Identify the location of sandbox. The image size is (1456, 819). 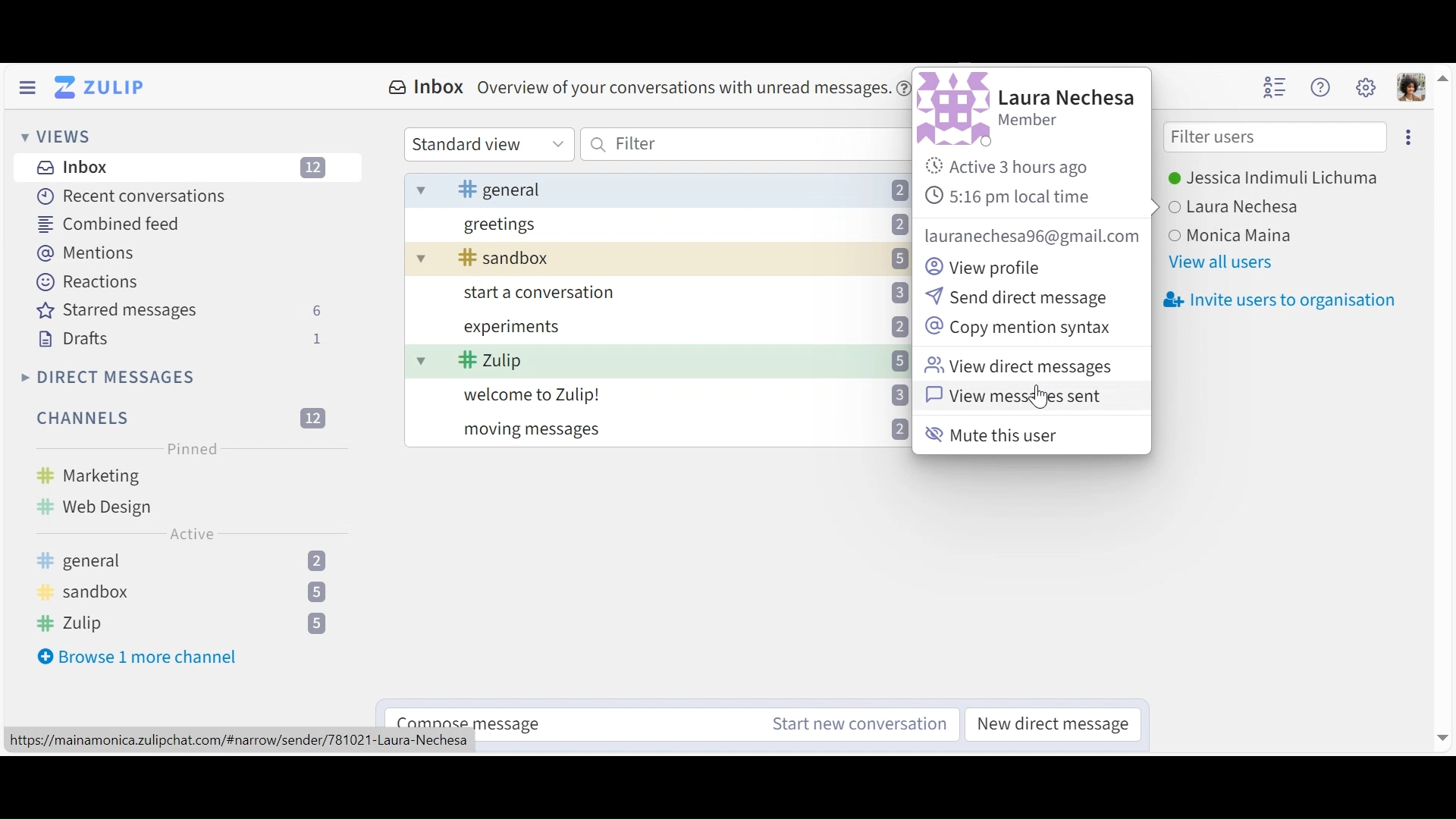
(683, 258).